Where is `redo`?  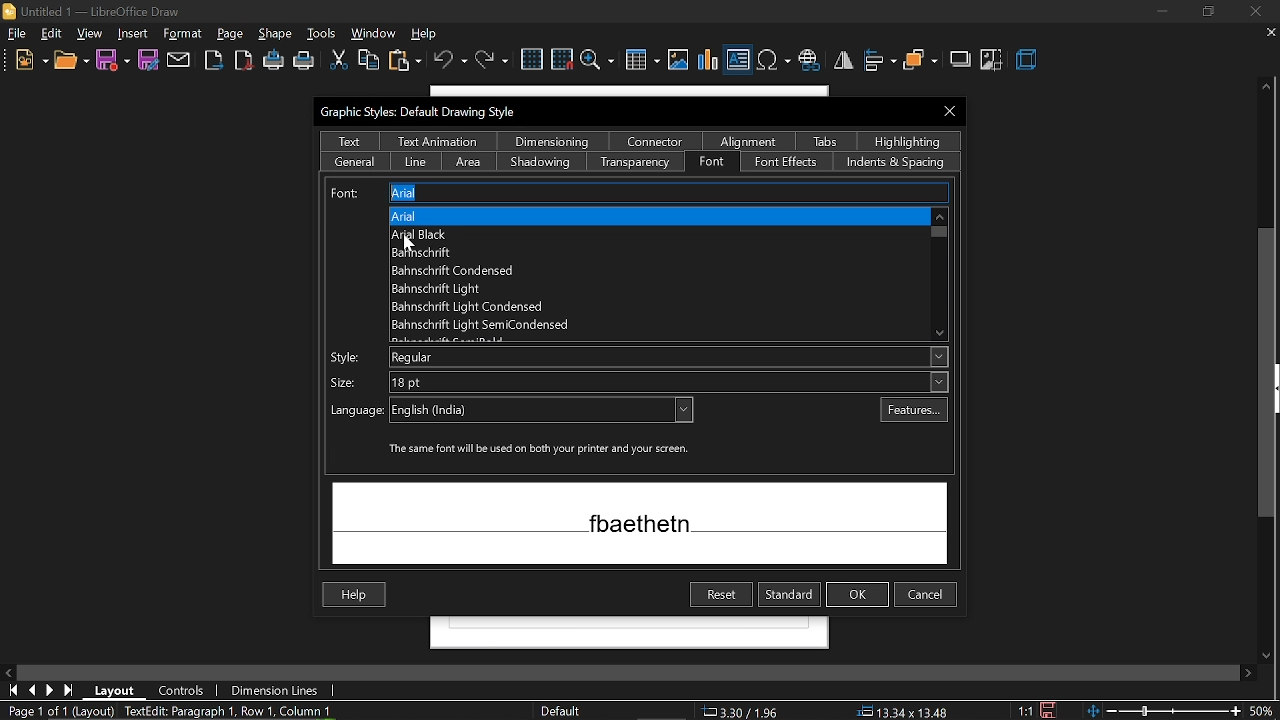 redo is located at coordinates (491, 60).